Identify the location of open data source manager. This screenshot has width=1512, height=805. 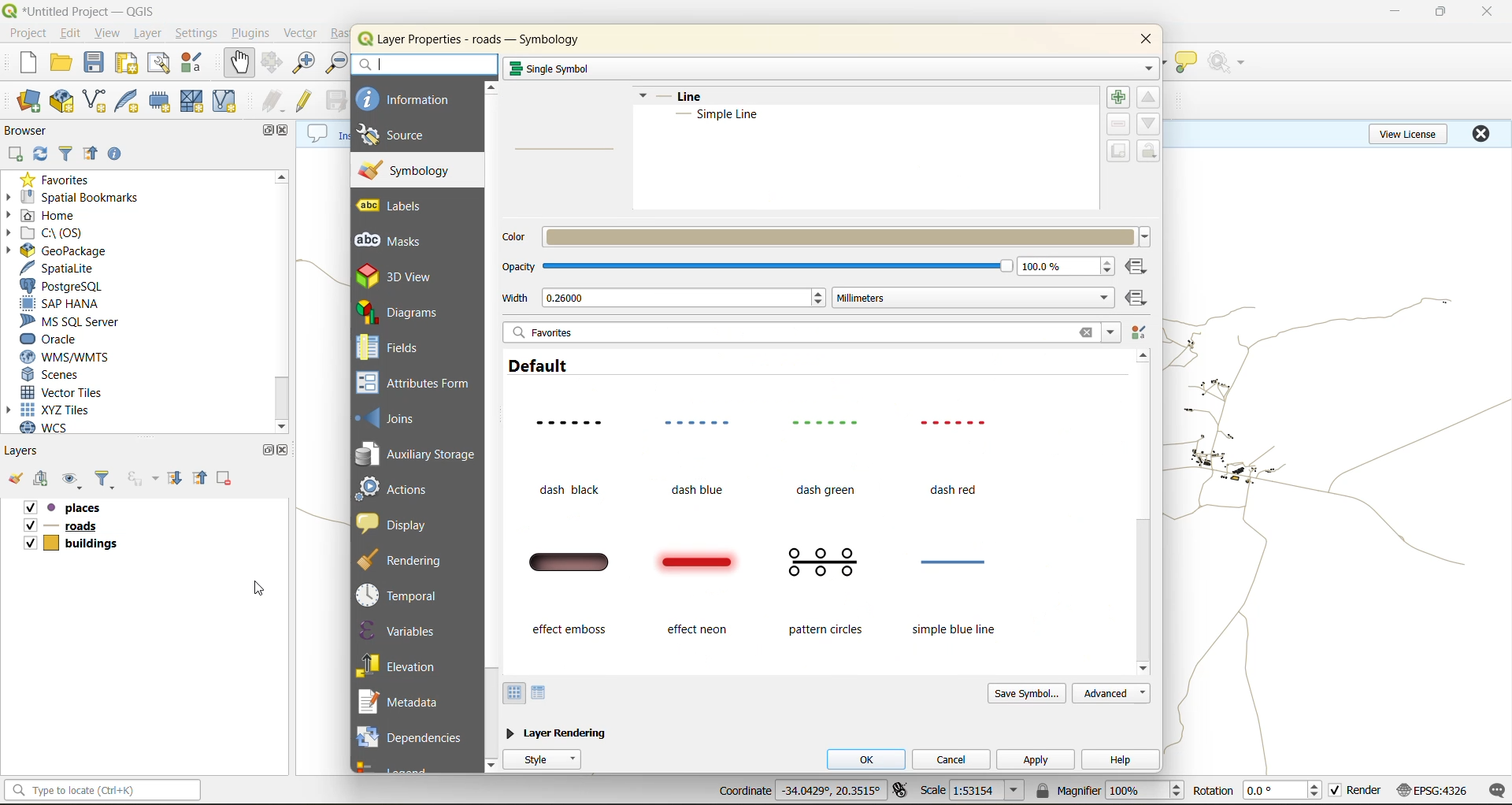
(28, 99).